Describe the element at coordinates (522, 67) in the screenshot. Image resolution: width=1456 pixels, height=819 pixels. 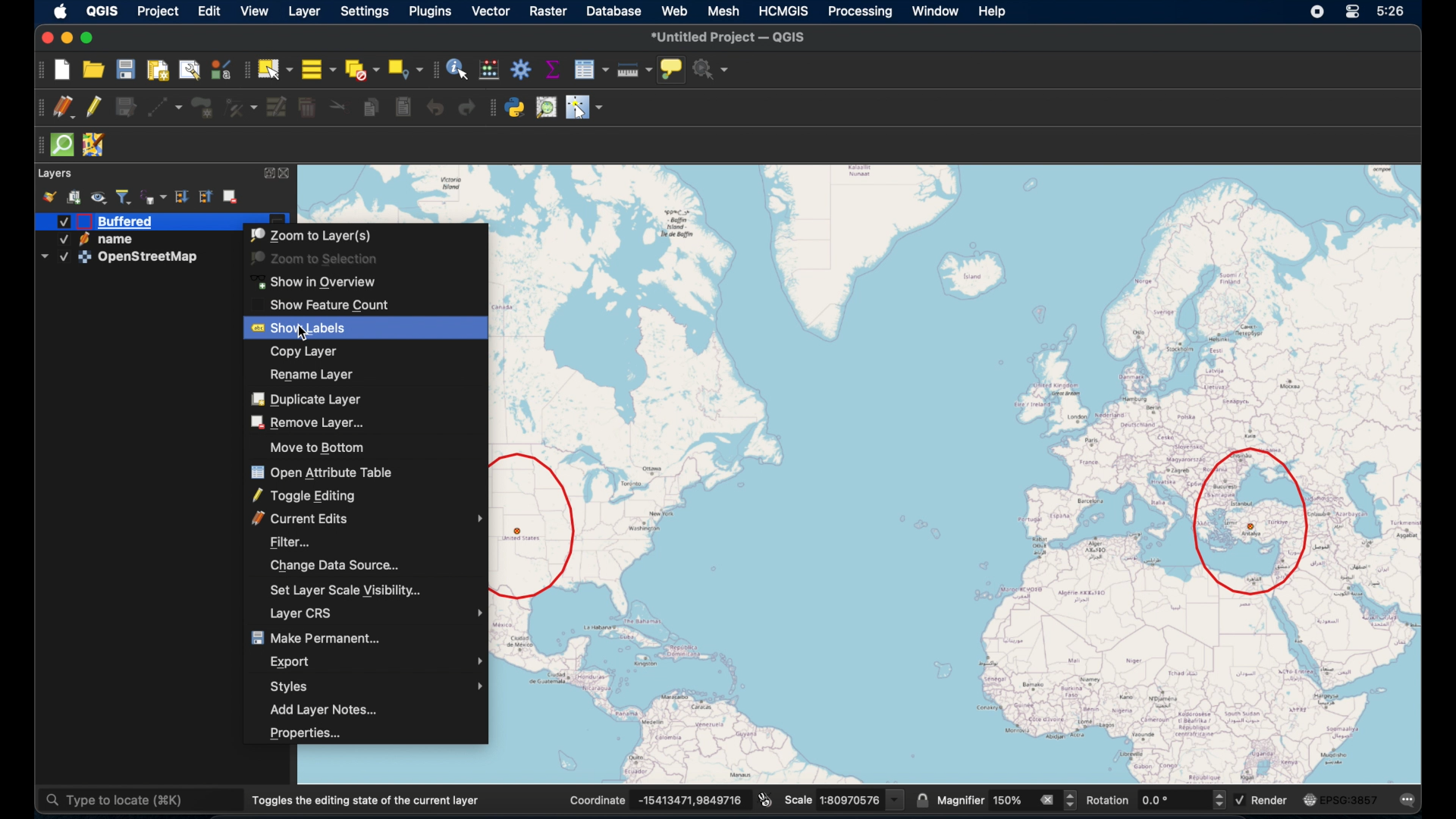
I see `toolbox` at that location.